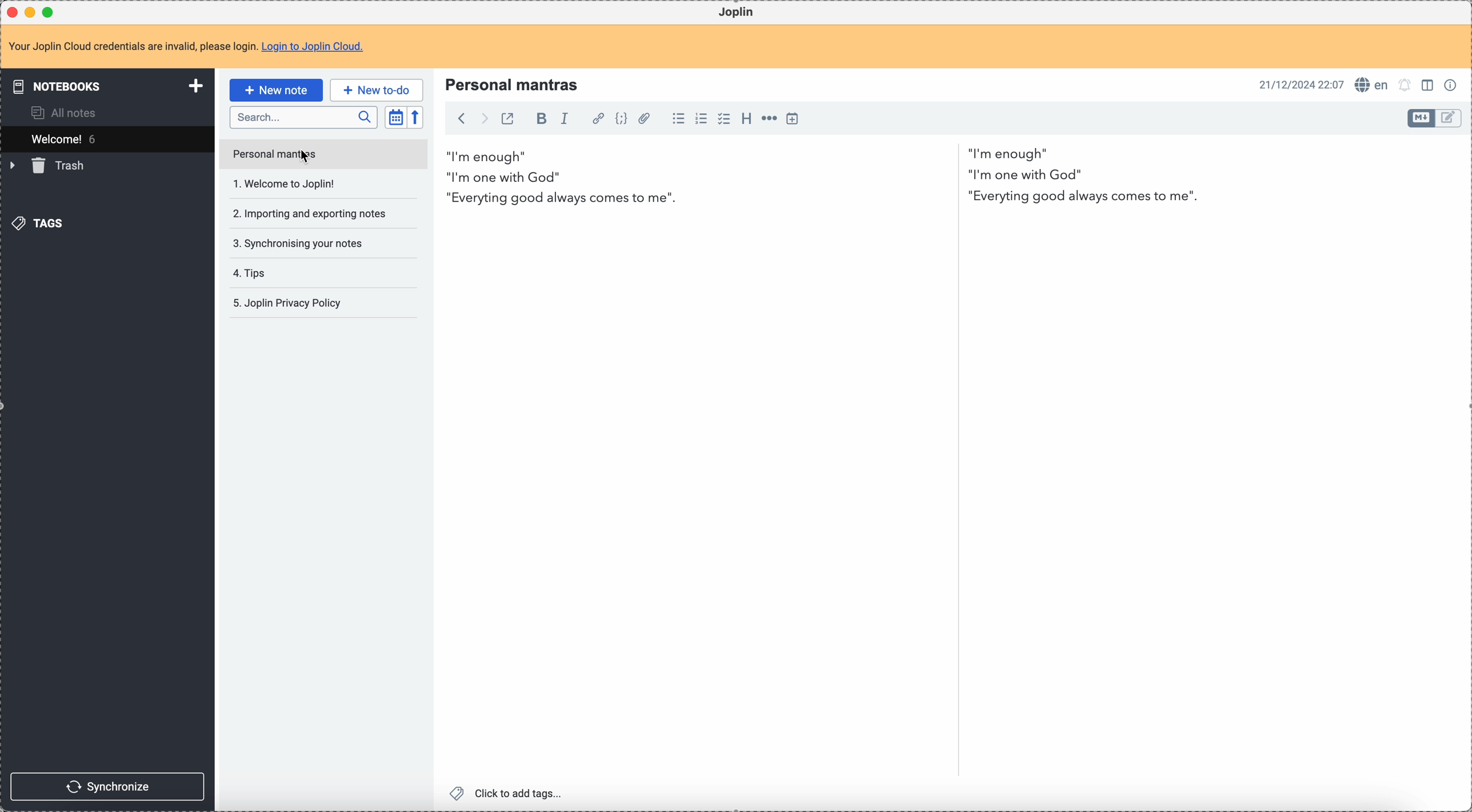  I want to click on toggle editor layout, so click(1450, 117).